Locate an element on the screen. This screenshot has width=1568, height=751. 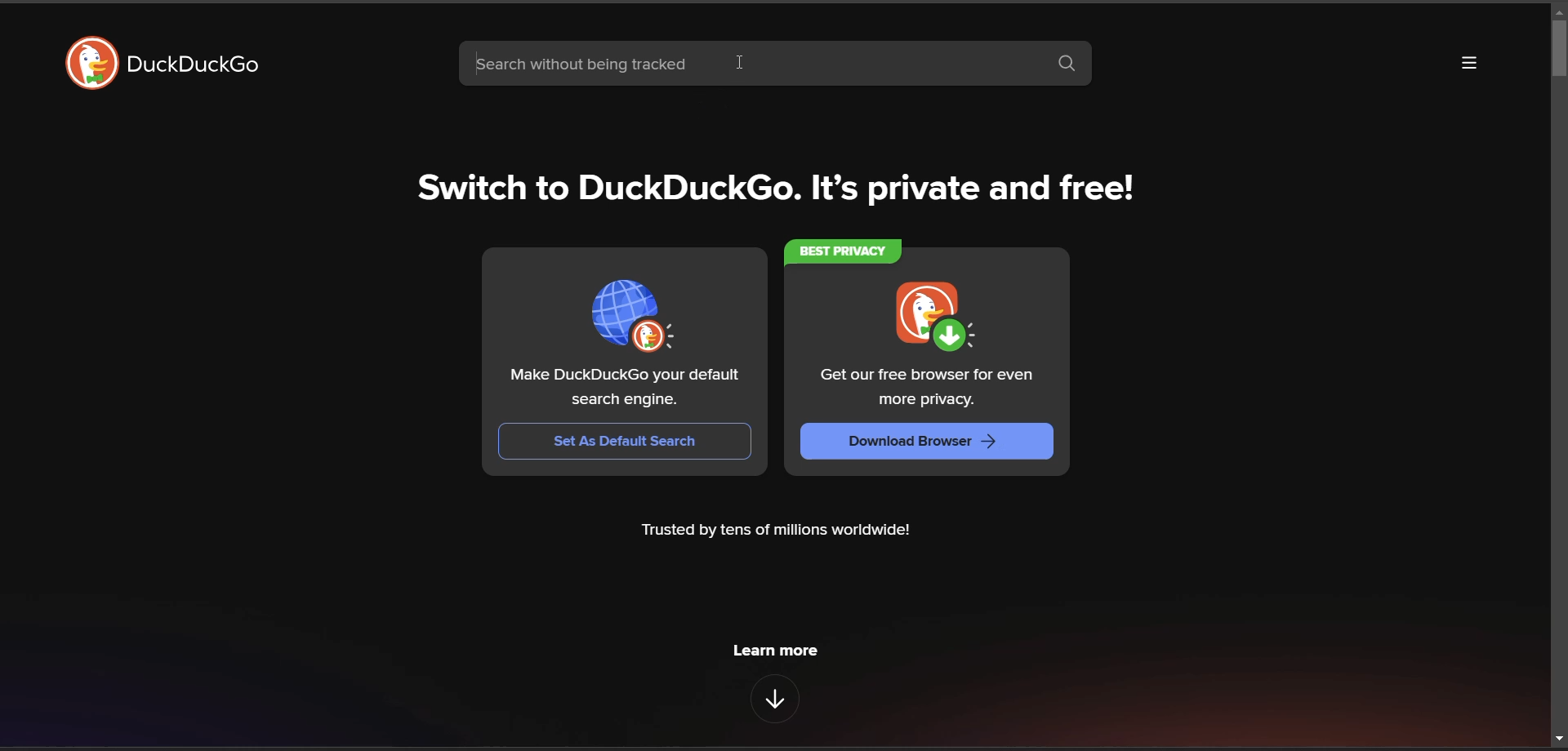
search button is located at coordinates (1067, 65).